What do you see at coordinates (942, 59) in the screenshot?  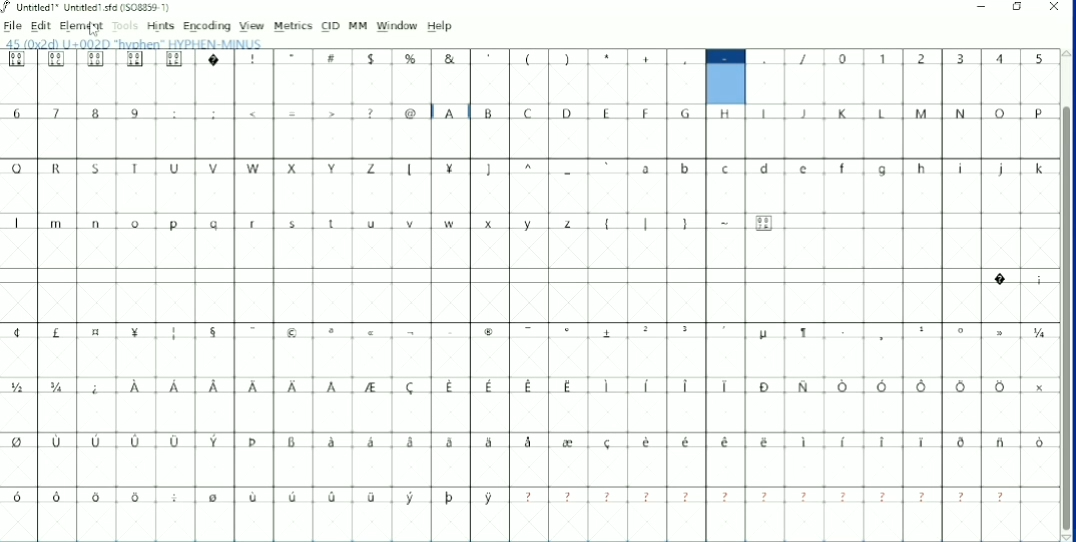 I see `Numbers` at bounding box center [942, 59].